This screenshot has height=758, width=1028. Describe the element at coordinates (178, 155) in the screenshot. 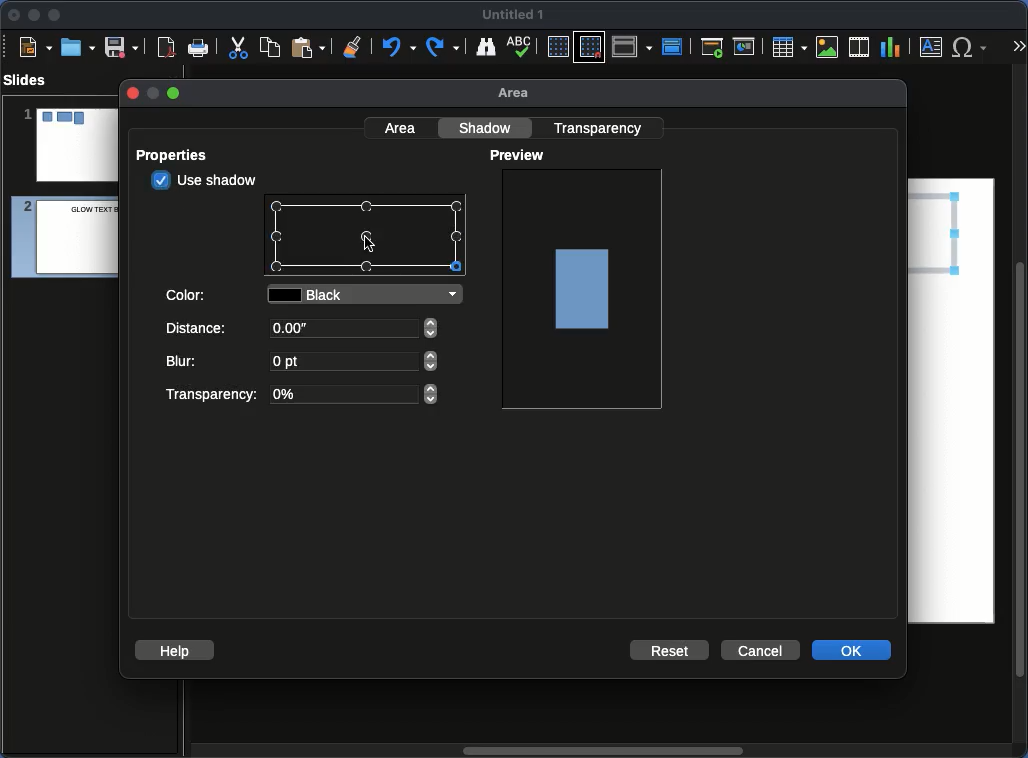

I see `Properties` at that location.